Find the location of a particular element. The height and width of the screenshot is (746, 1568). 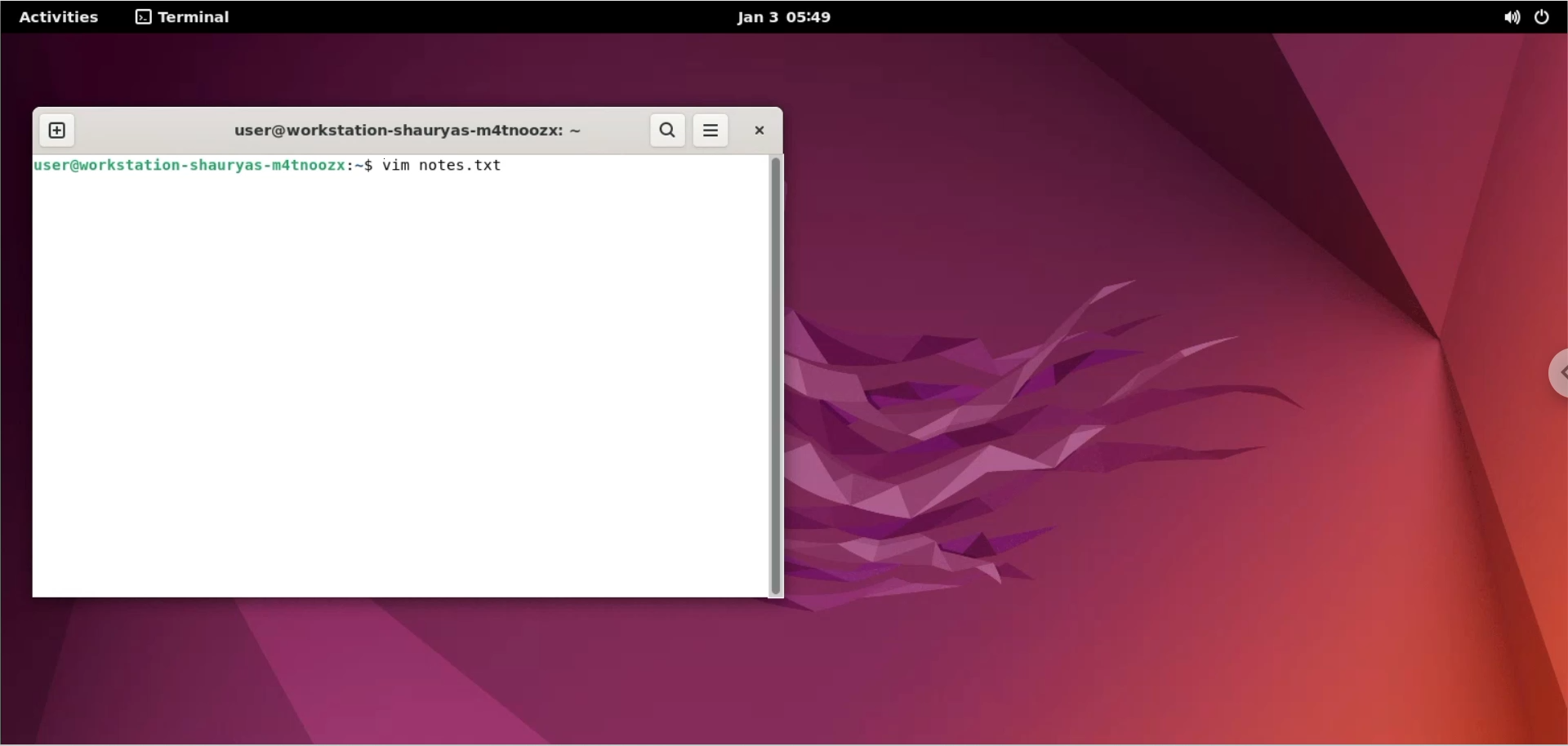

chrome options is located at coordinates (1552, 377).